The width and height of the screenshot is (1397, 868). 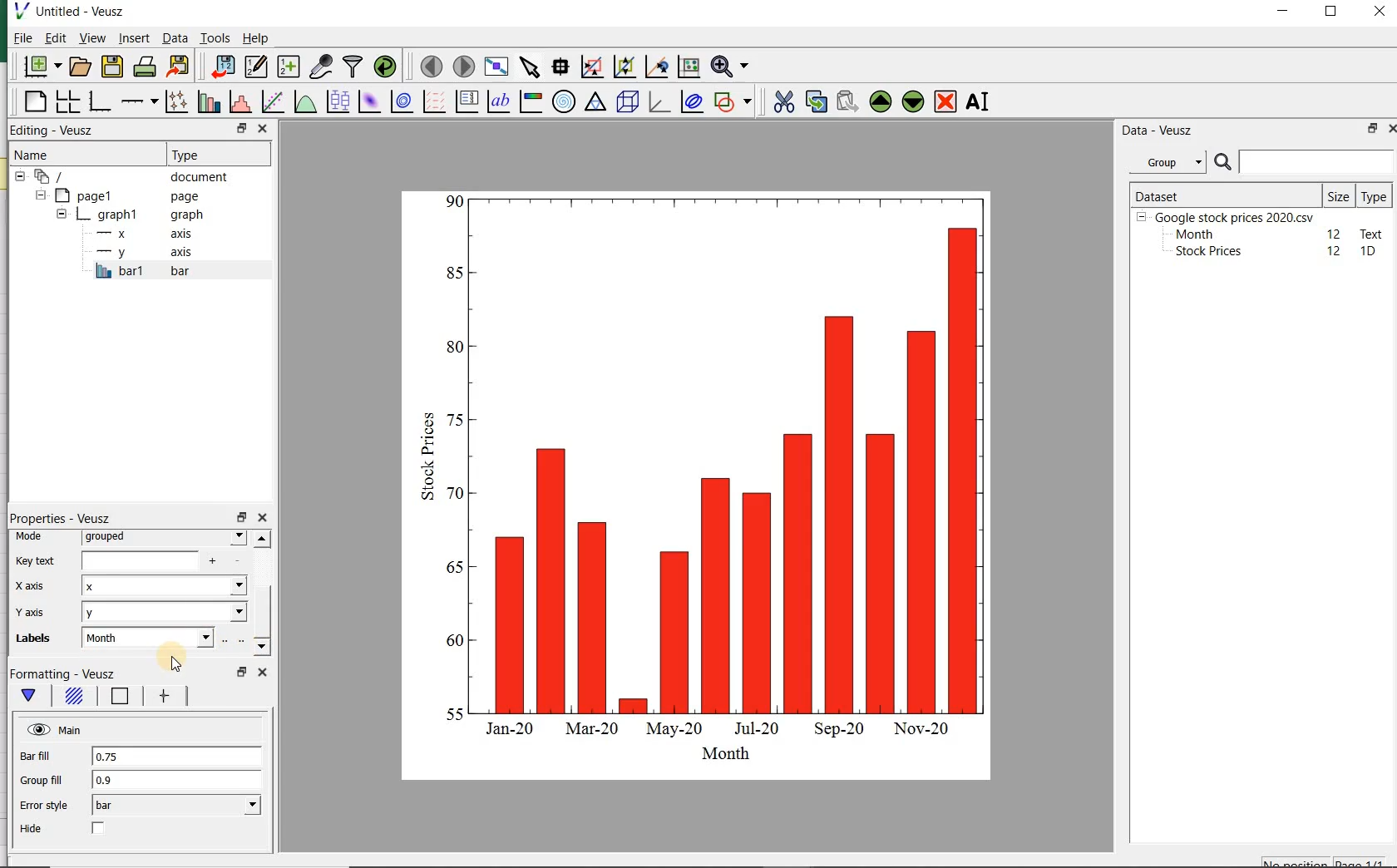 I want to click on scrollbar, so click(x=261, y=595).